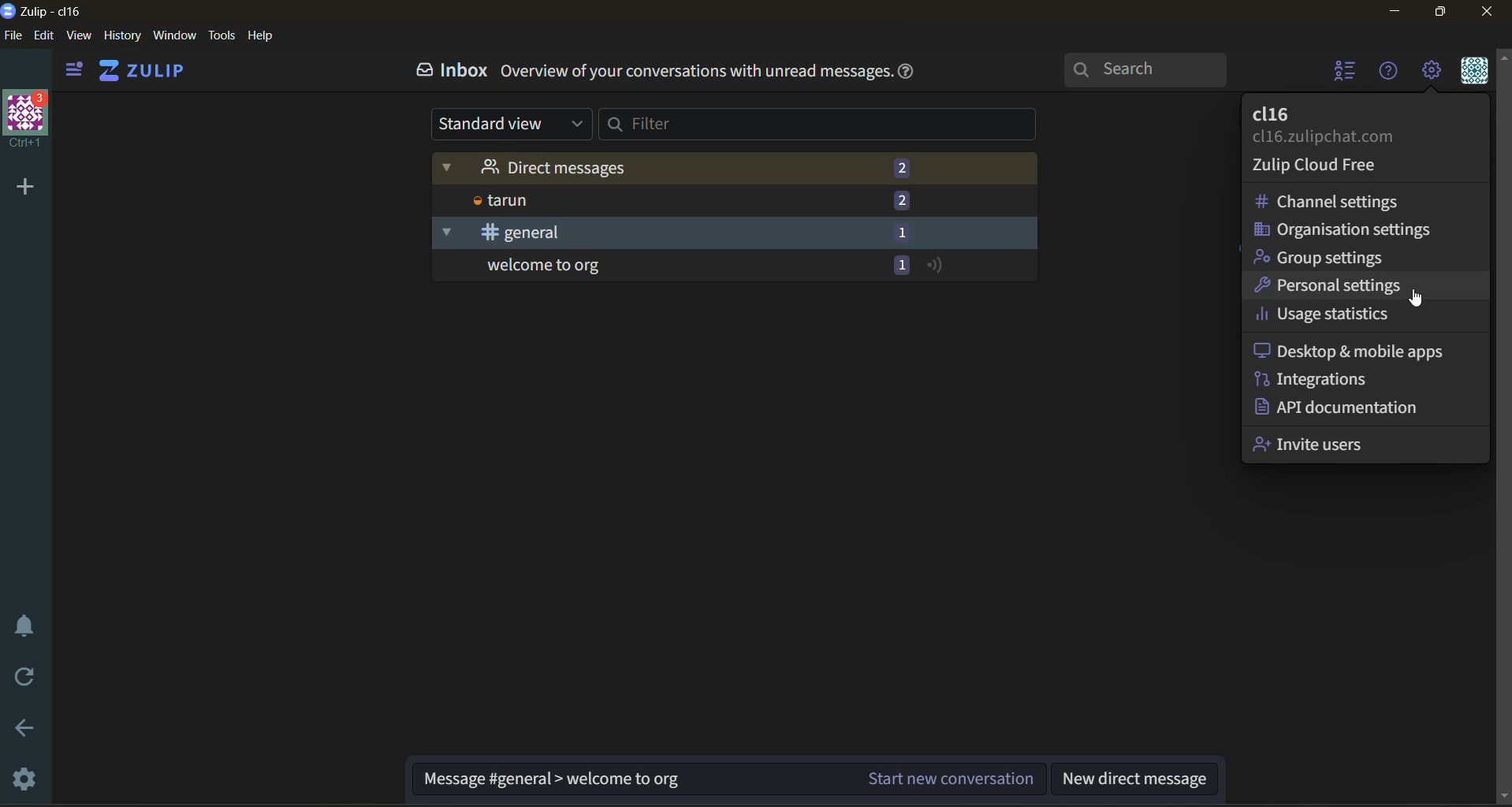 This screenshot has height=807, width=1512. What do you see at coordinates (19, 731) in the screenshot?
I see `go back` at bounding box center [19, 731].